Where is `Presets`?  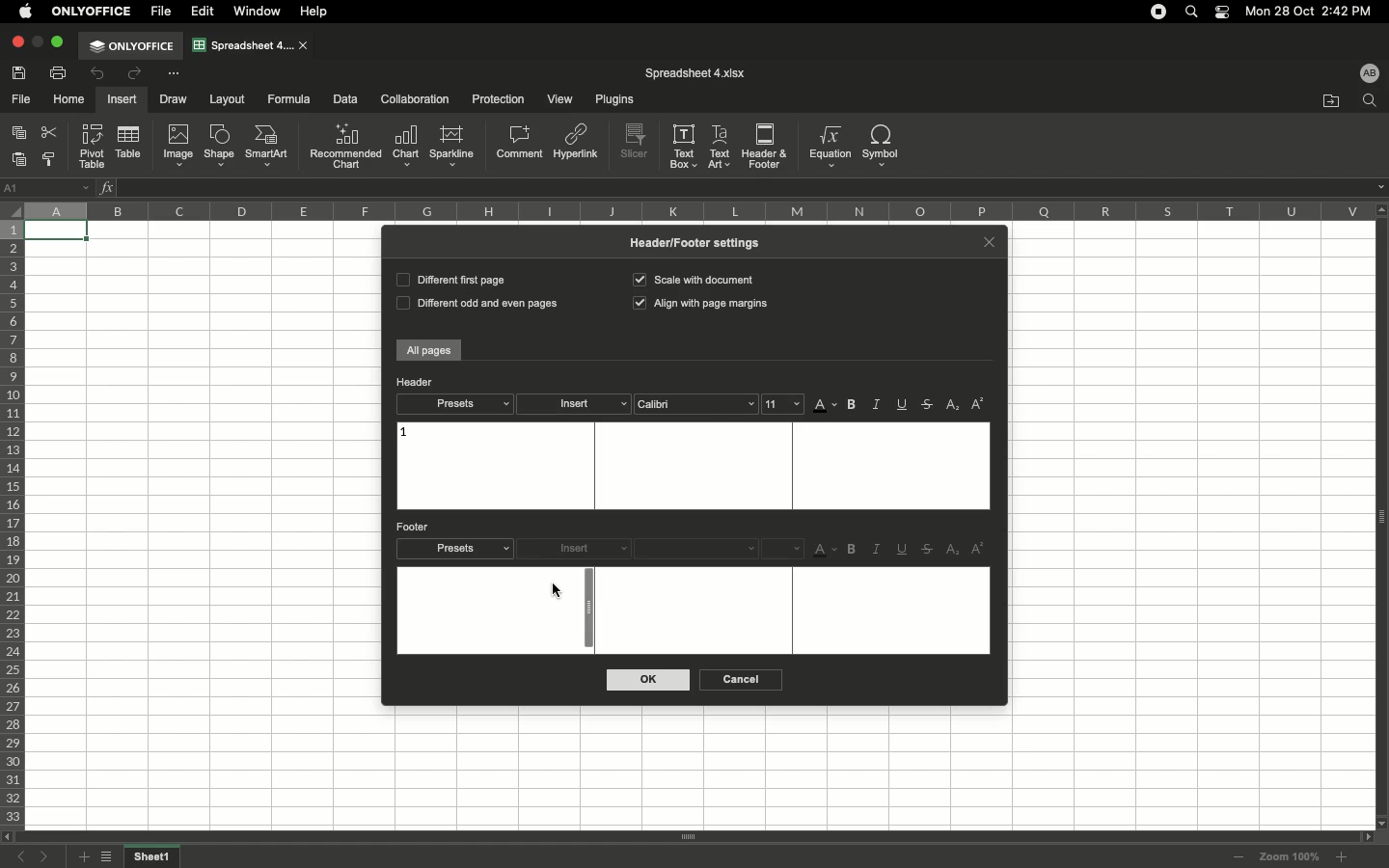
Presets is located at coordinates (454, 404).